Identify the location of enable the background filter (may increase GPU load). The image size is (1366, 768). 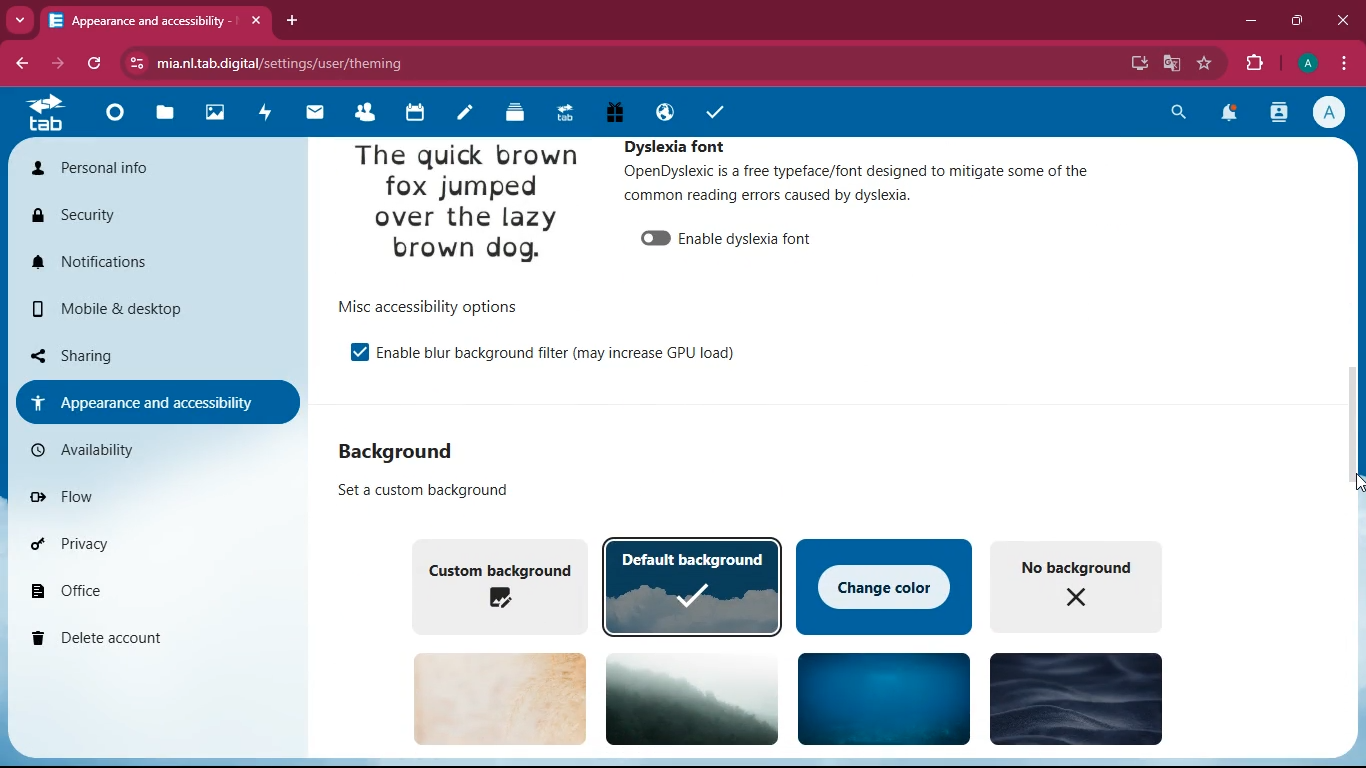
(566, 354).